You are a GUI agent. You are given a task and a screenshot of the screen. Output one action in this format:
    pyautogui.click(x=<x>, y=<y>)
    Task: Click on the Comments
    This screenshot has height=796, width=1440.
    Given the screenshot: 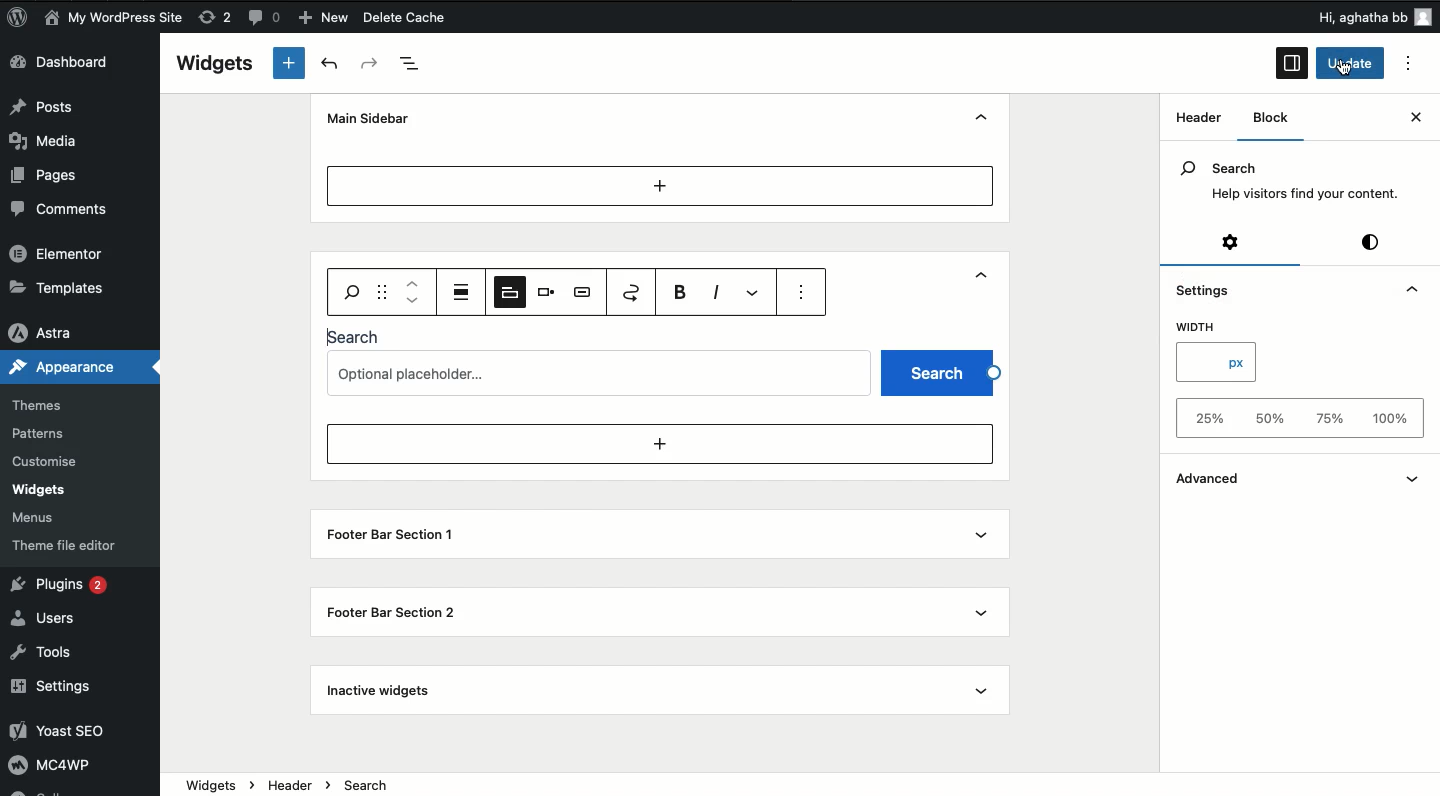 What is the action you would take?
    pyautogui.click(x=63, y=209)
    